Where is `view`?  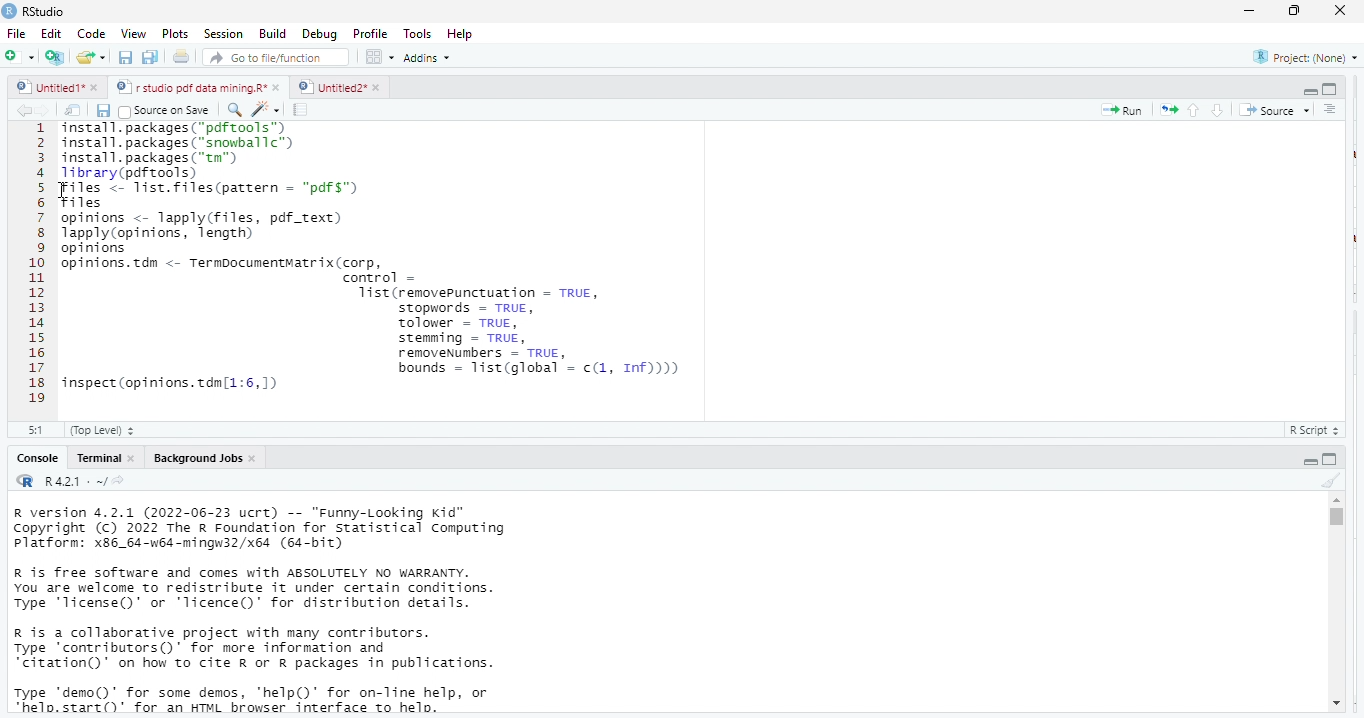
view is located at coordinates (128, 34).